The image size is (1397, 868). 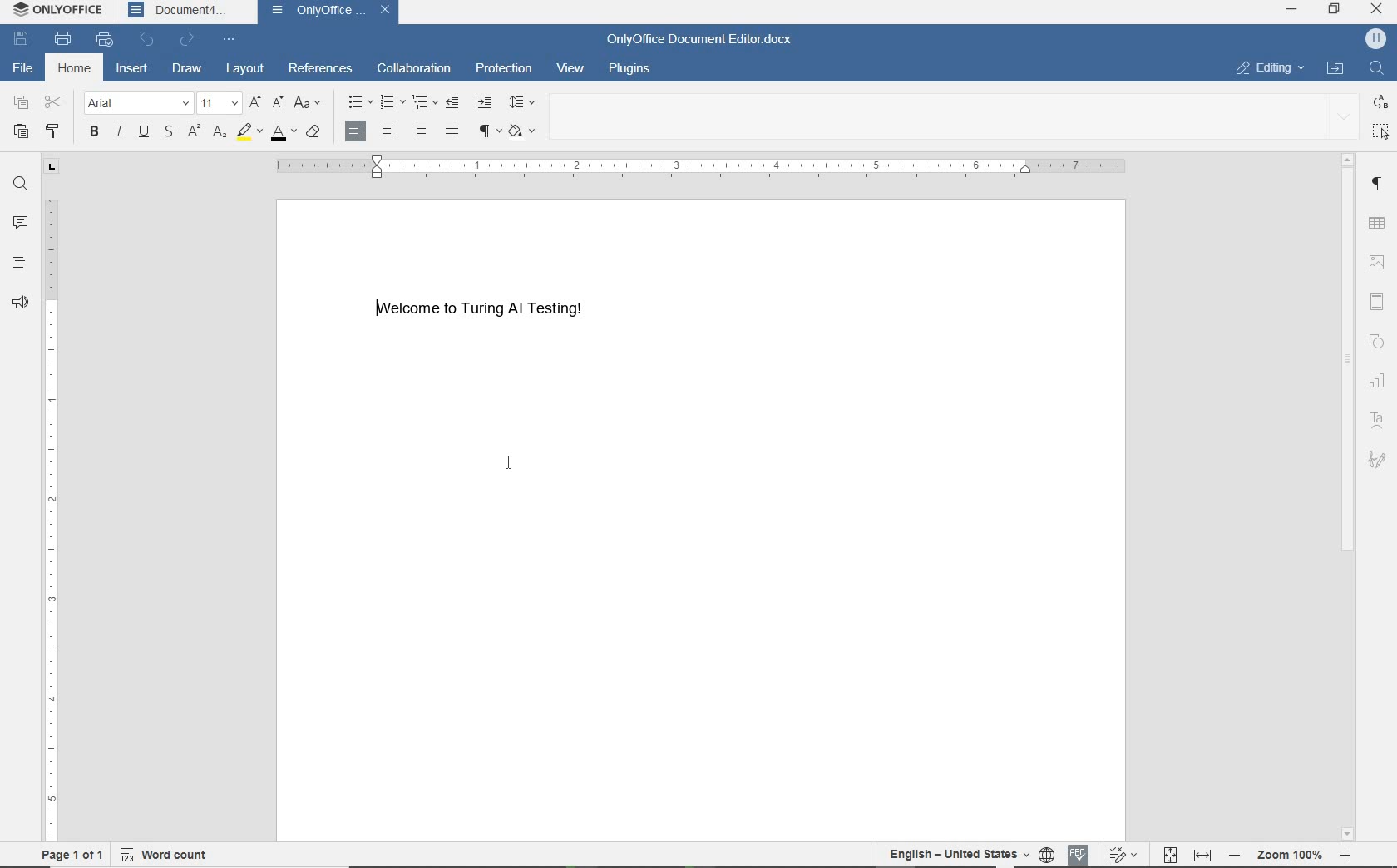 What do you see at coordinates (55, 133) in the screenshot?
I see `copy style` at bounding box center [55, 133].